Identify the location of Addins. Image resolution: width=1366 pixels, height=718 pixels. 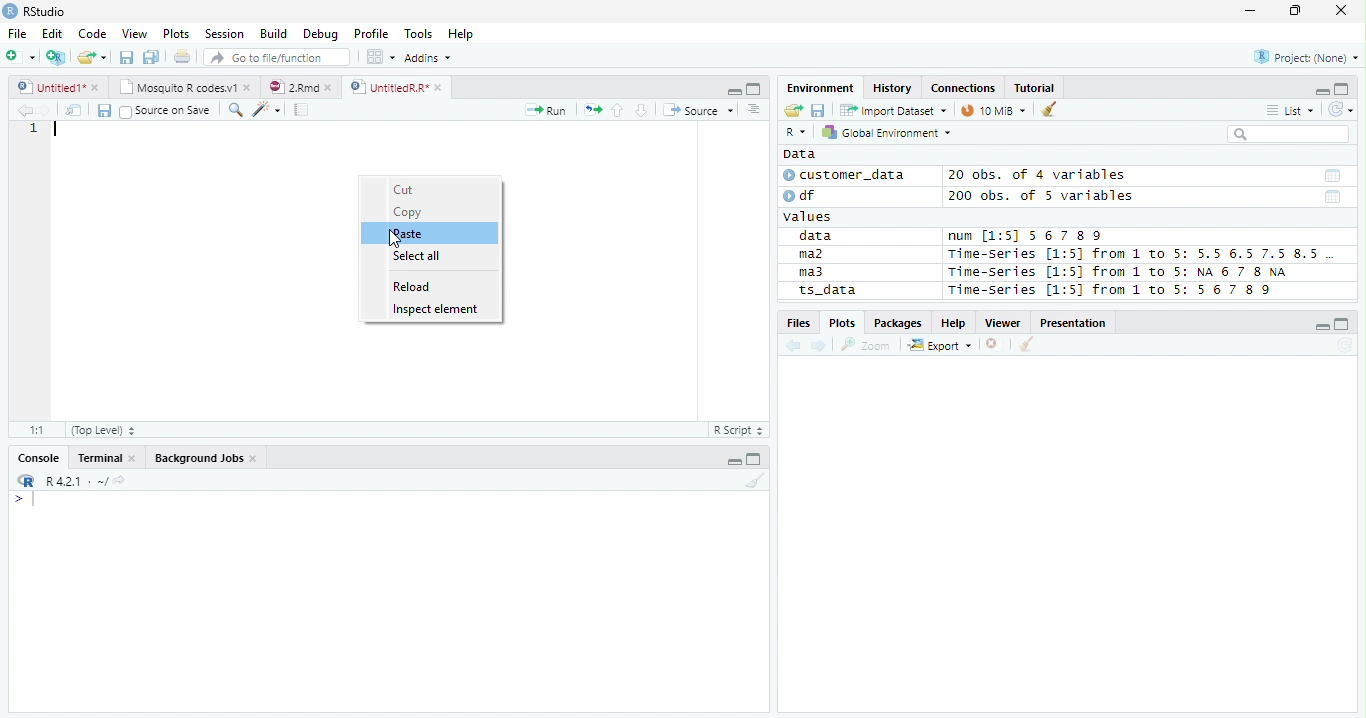
(430, 57).